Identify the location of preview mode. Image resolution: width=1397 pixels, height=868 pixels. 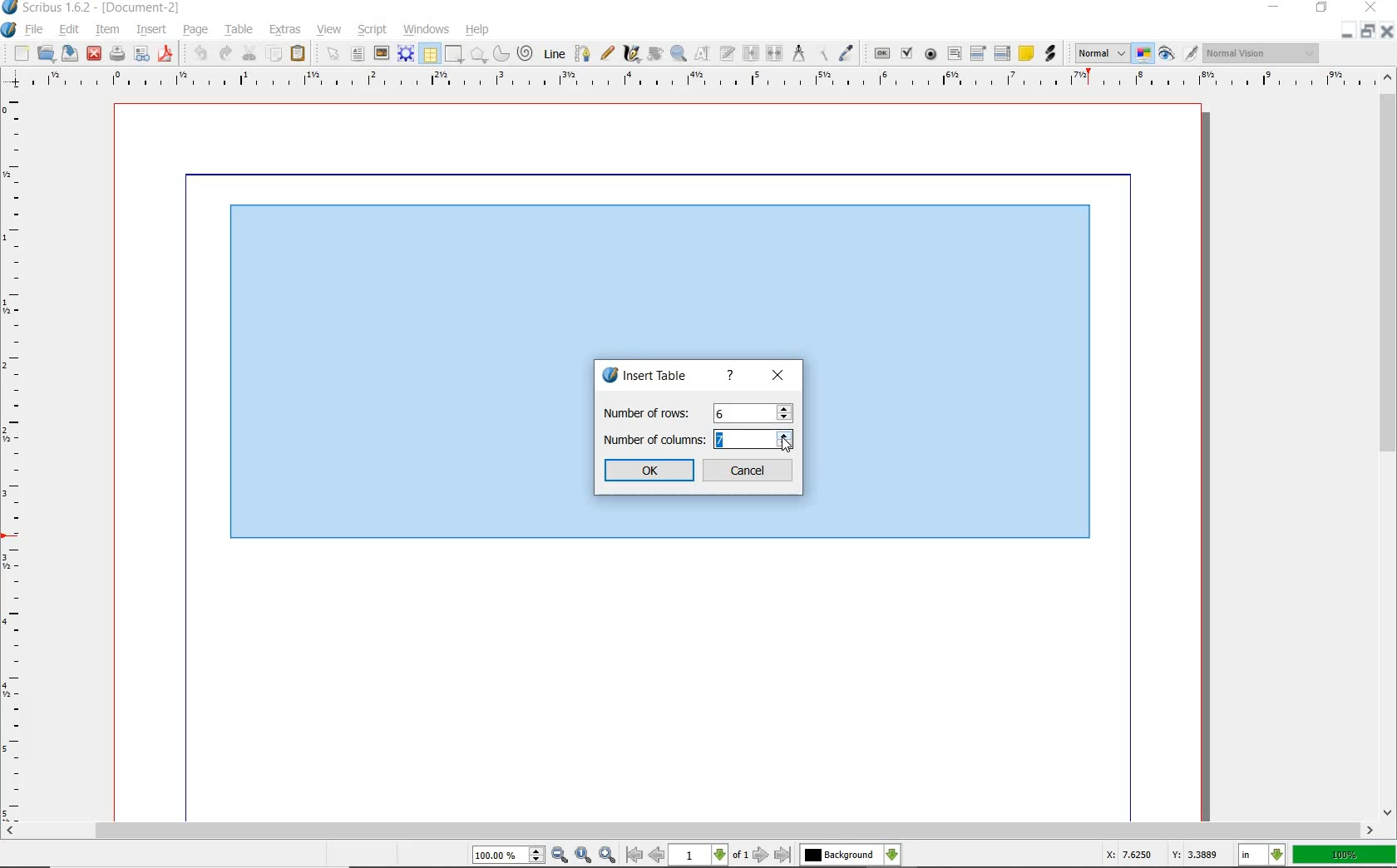
(1164, 55).